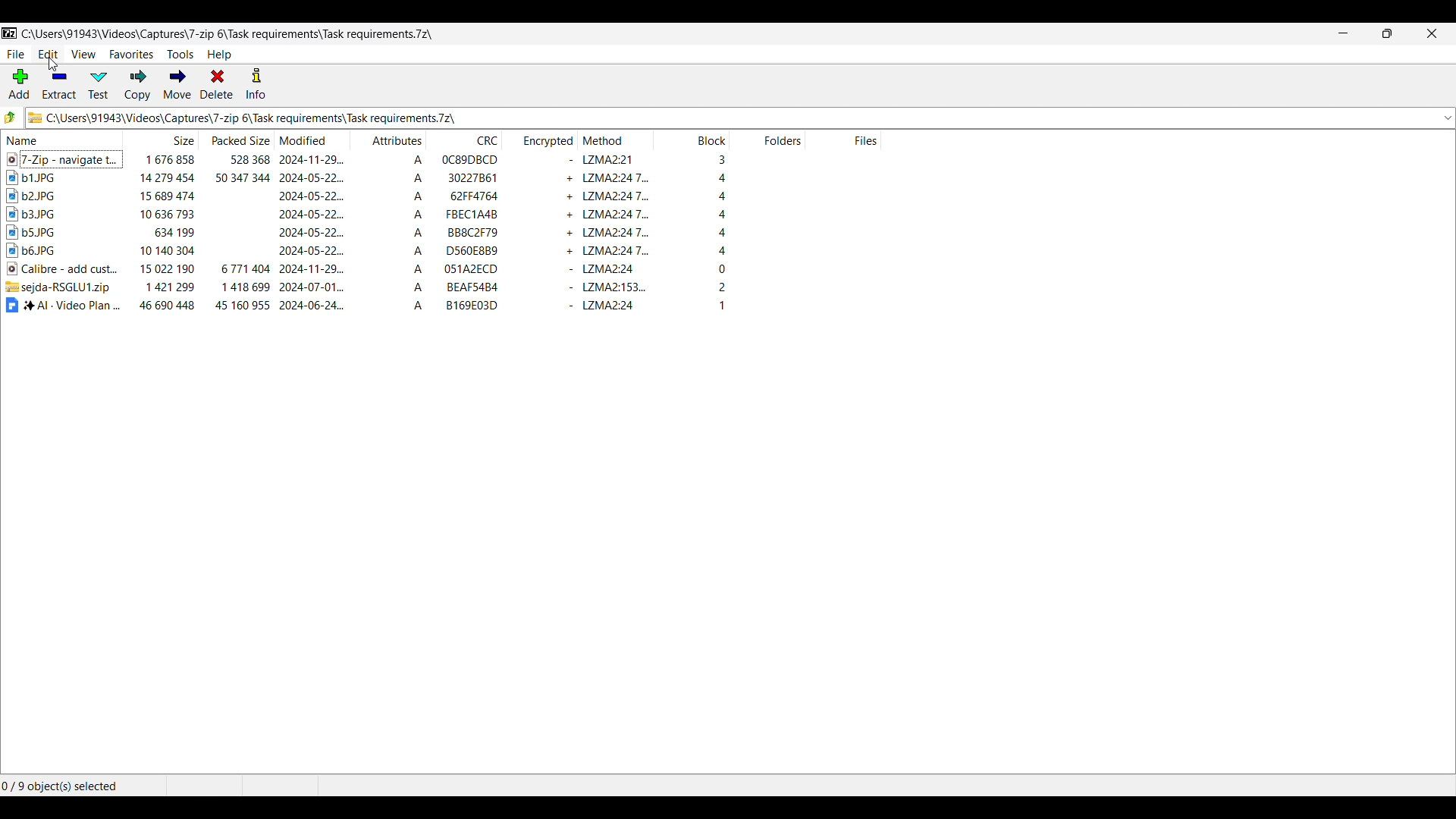 The image size is (1456, 819). Describe the element at coordinates (239, 233) in the screenshot. I see `packed size` at that location.